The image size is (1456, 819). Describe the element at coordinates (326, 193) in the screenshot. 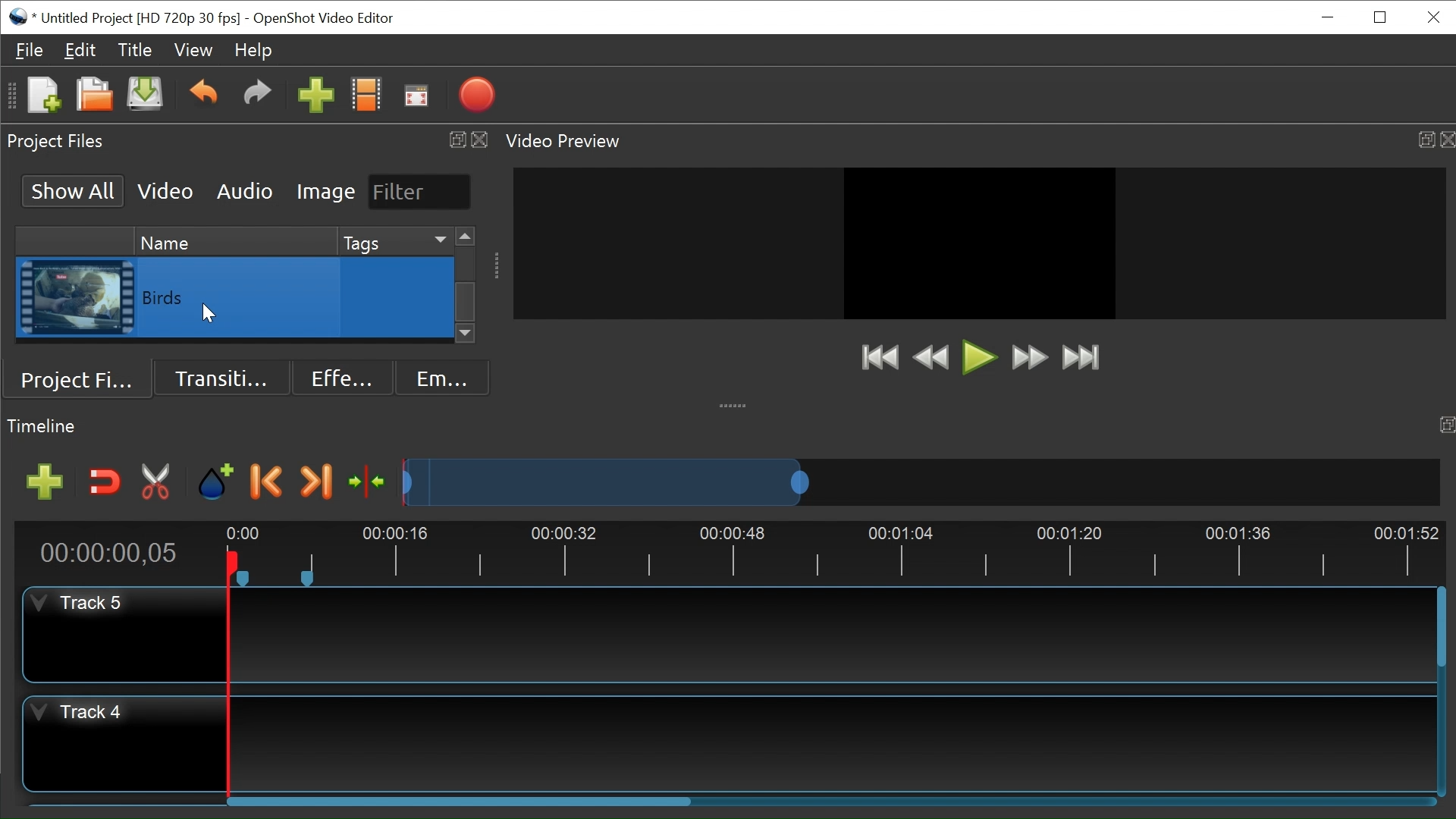

I see `Image` at that location.